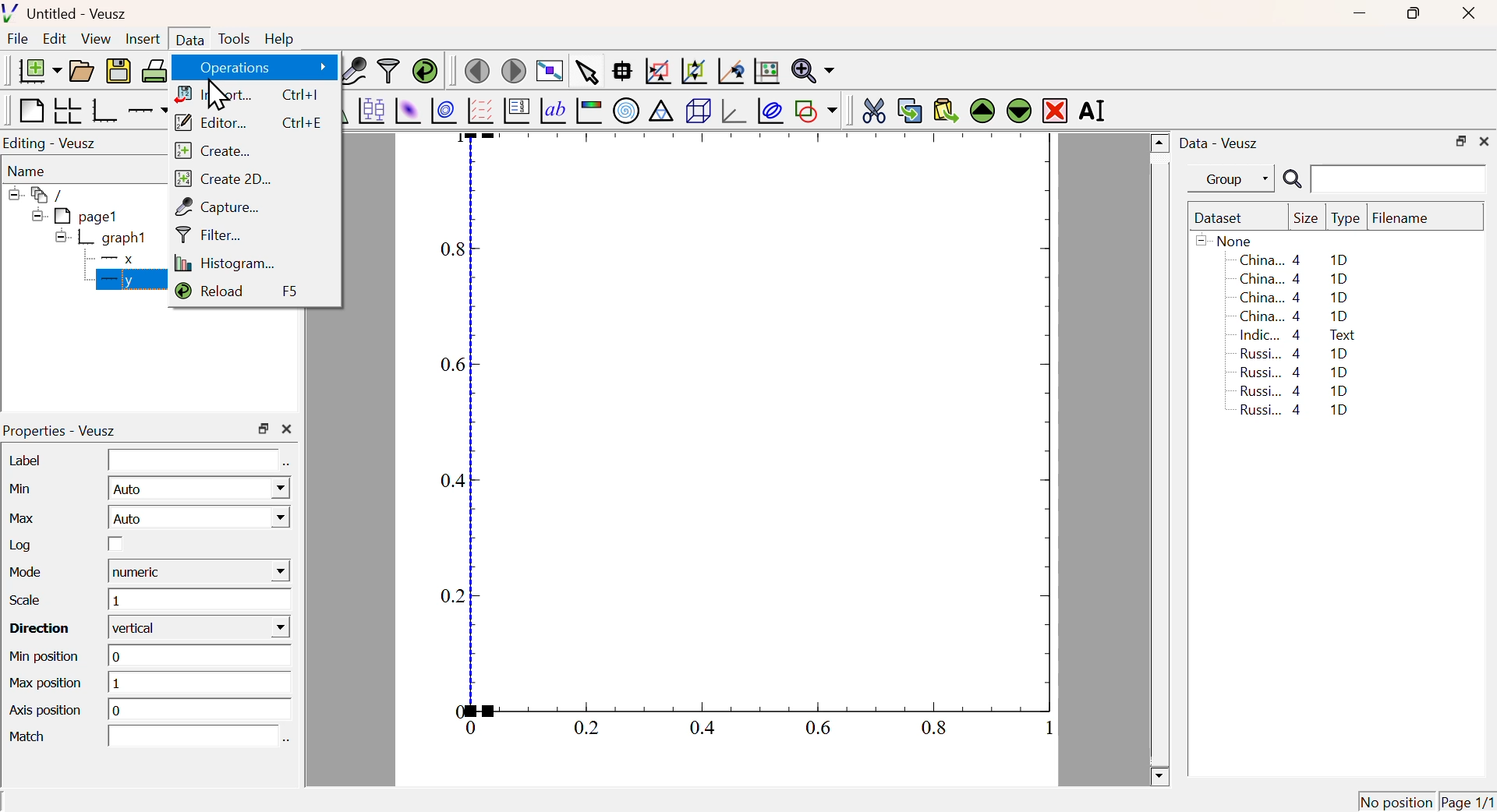 This screenshot has height=812, width=1497. Describe the element at coordinates (262, 67) in the screenshot. I see `Operations` at that location.